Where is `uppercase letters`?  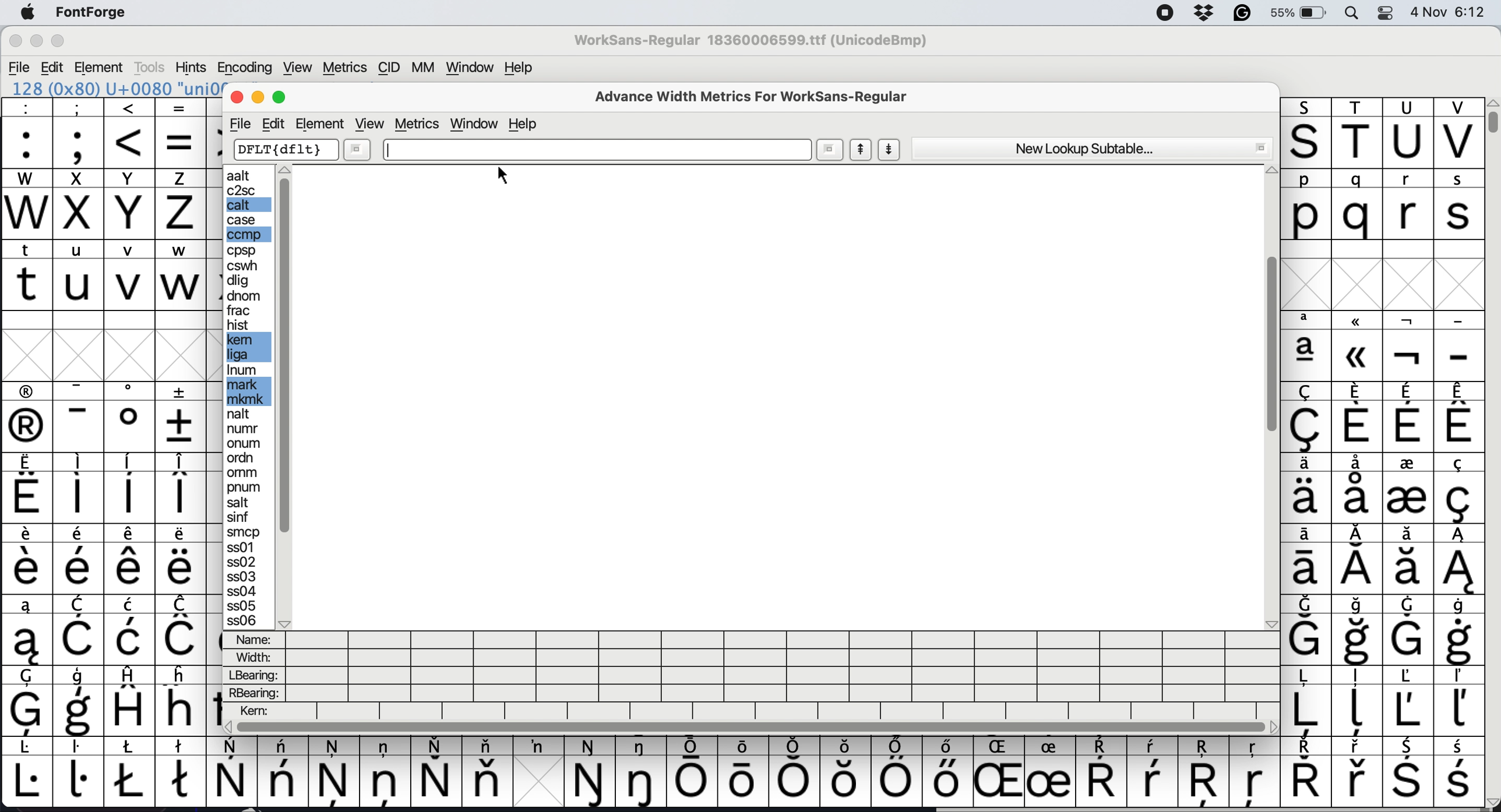
uppercase letters is located at coordinates (105, 179).